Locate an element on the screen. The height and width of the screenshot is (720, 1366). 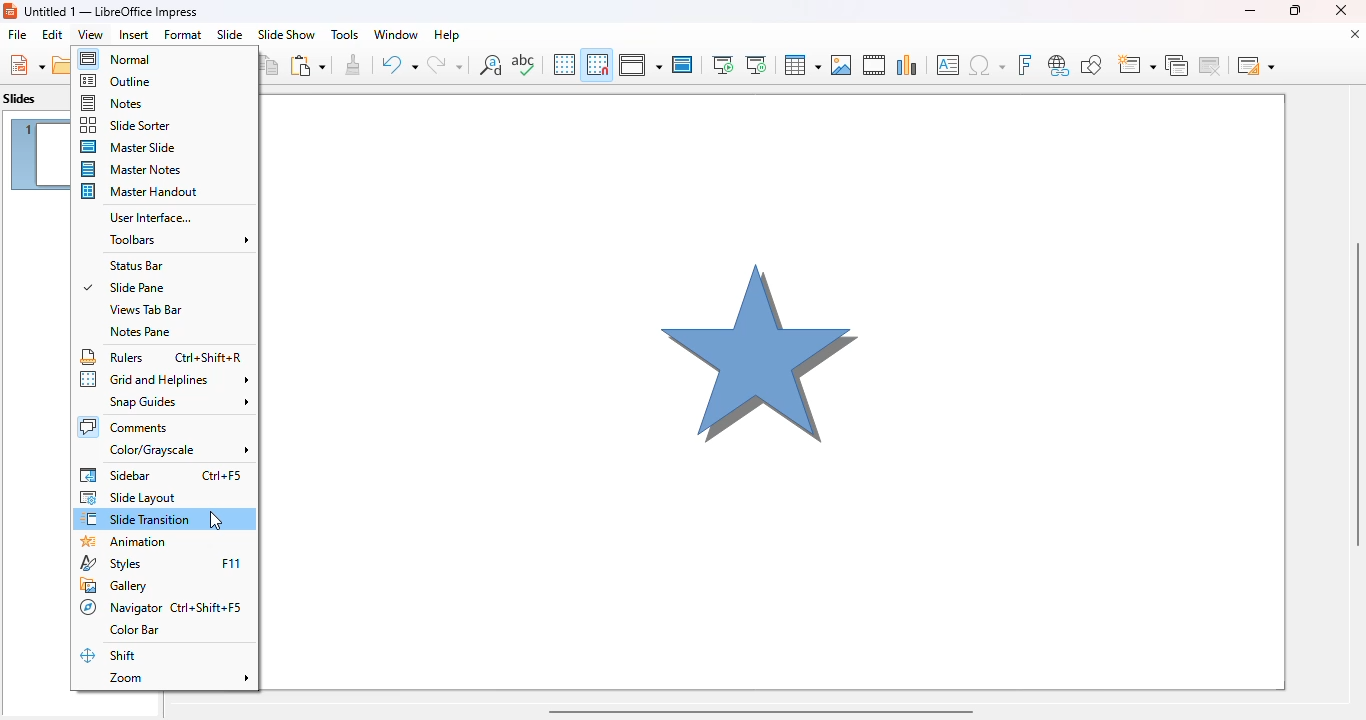
vertical scroll bar is located at coordinates (1358, 392).